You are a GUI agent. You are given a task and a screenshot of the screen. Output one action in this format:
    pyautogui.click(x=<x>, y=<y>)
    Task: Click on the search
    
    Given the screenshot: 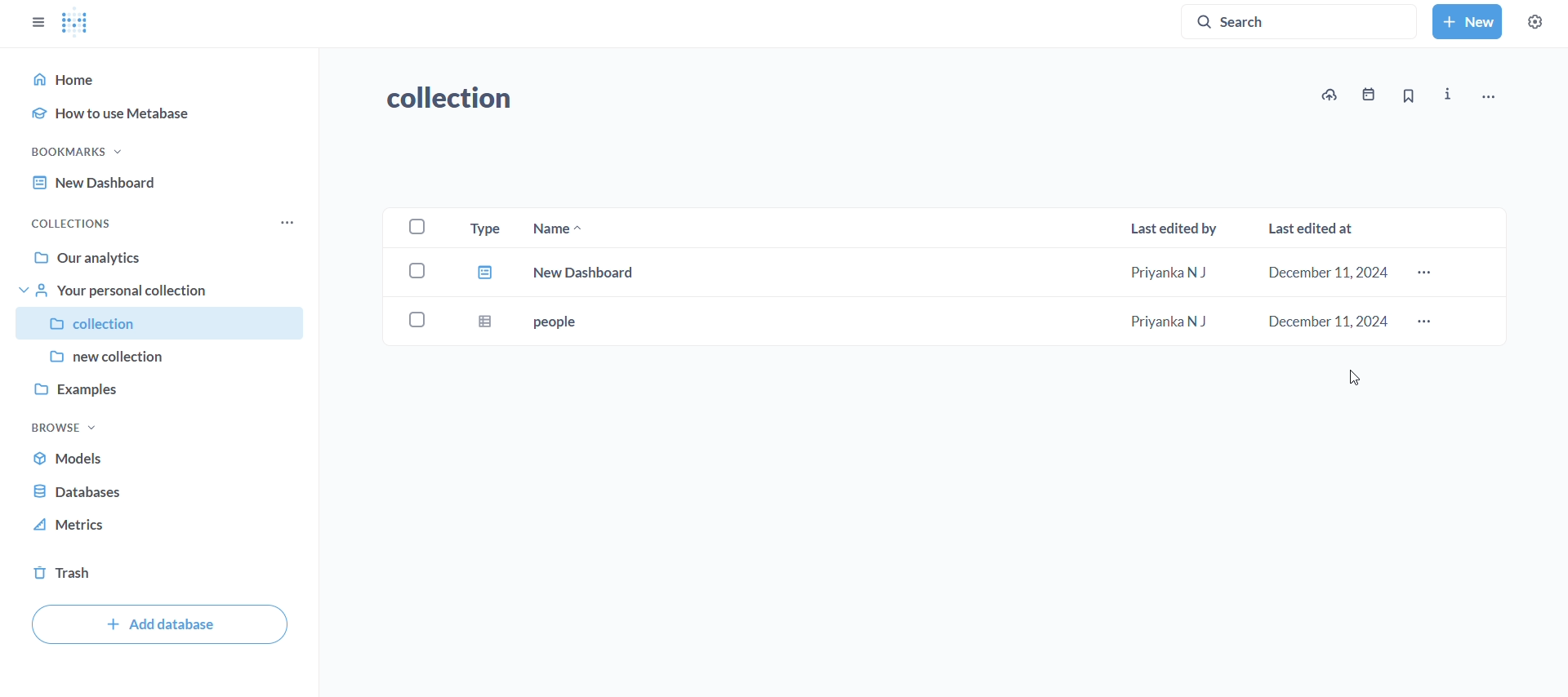 What is the action you would take?
    pyautogui.click(x=1303, y=20)
    